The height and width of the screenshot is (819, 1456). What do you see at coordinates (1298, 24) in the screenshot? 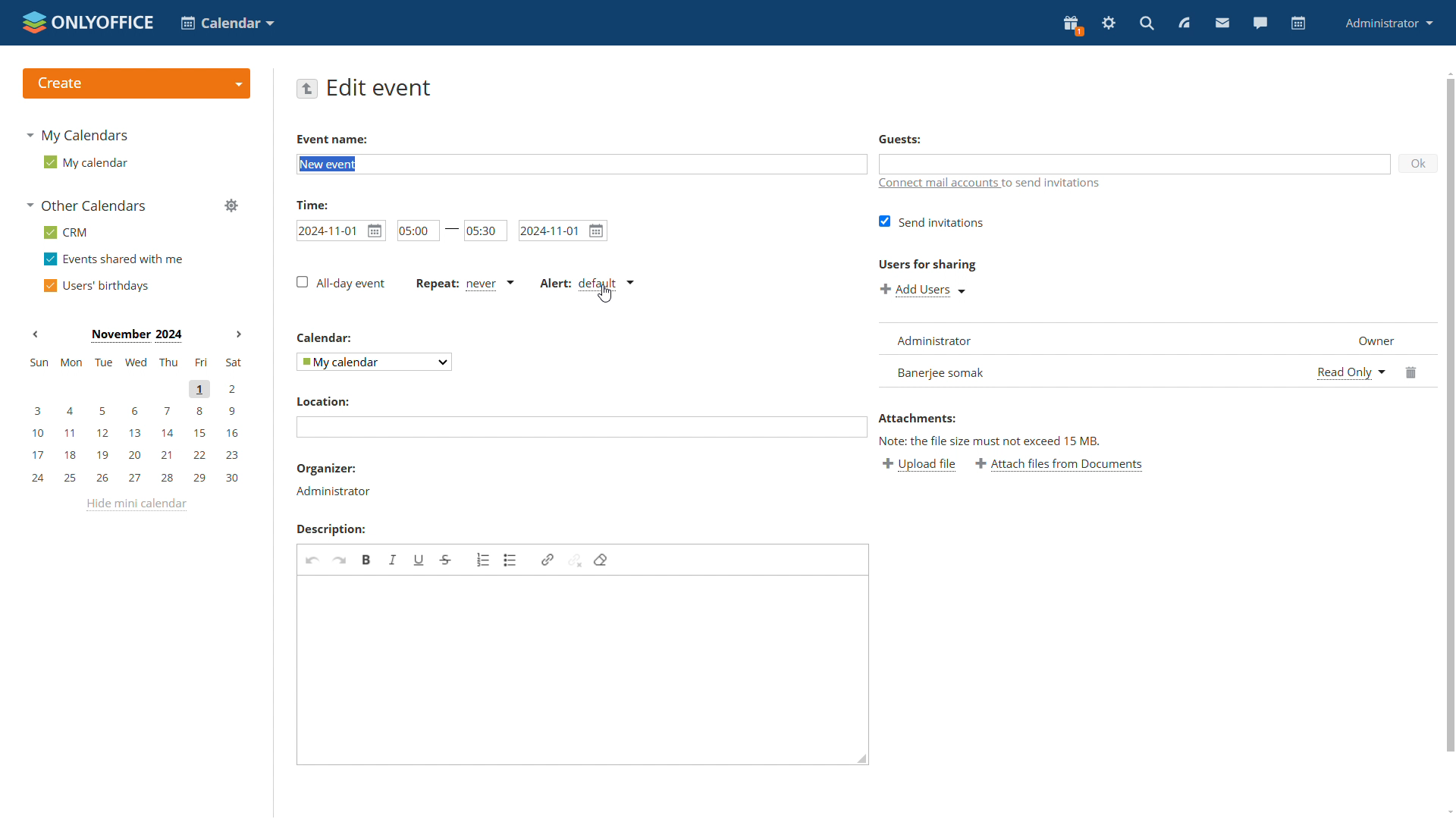
I see `calendar` at bounding box center [1298, 24].